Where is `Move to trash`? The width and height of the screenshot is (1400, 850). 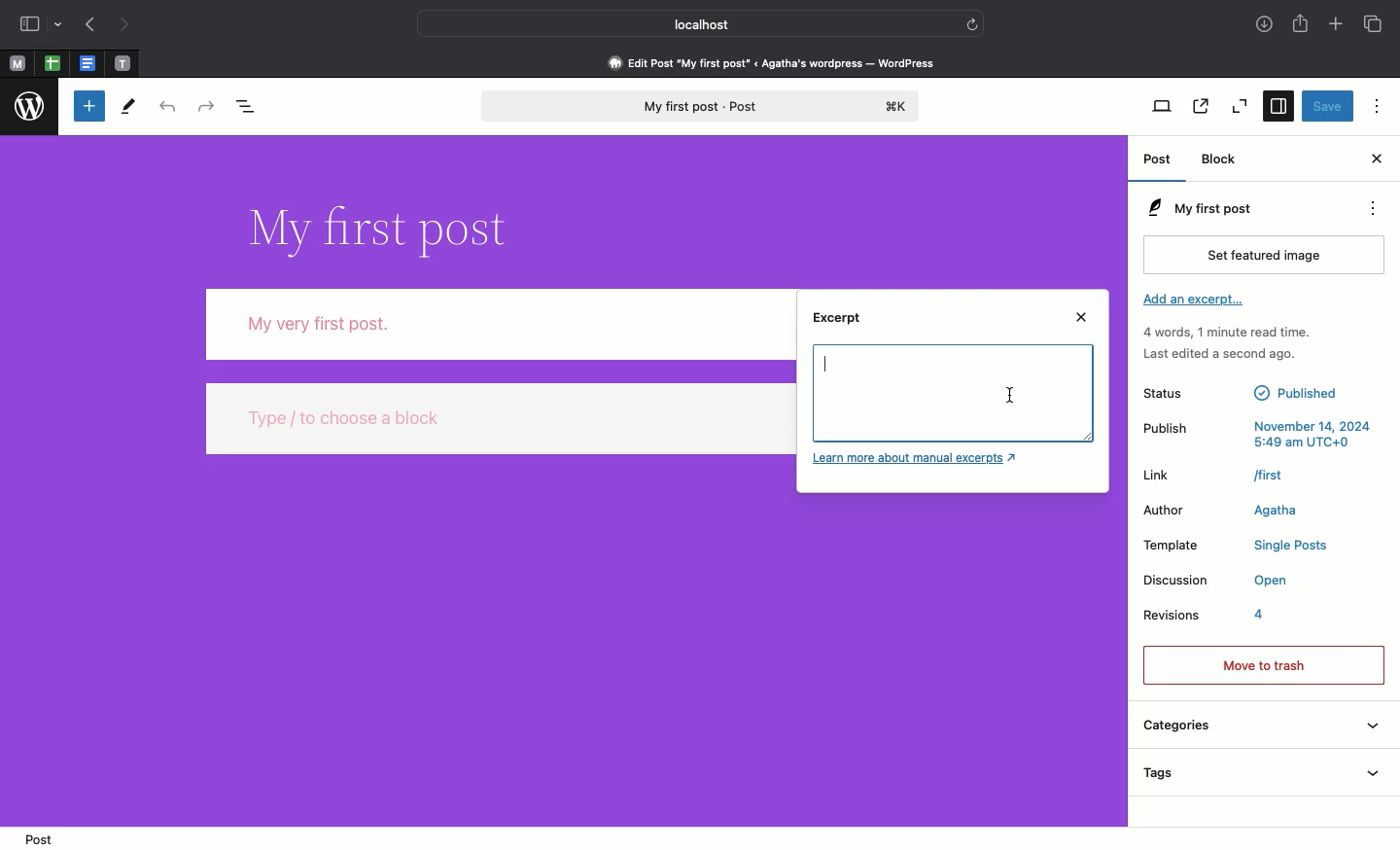
Move to trash is located at coordinates (1263, 663).